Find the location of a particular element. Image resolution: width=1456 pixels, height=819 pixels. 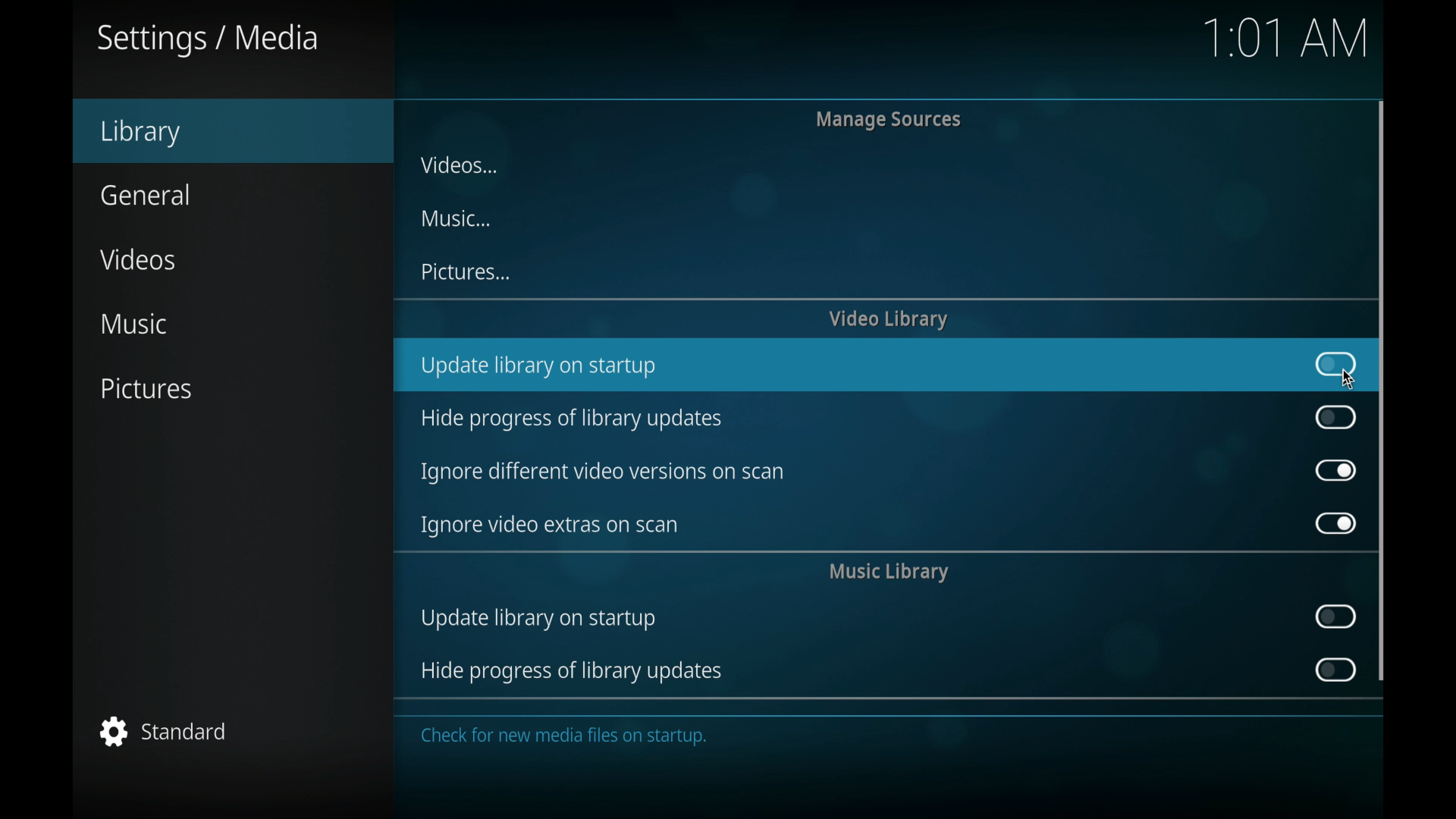

video library is located at coordinates (888, 319).